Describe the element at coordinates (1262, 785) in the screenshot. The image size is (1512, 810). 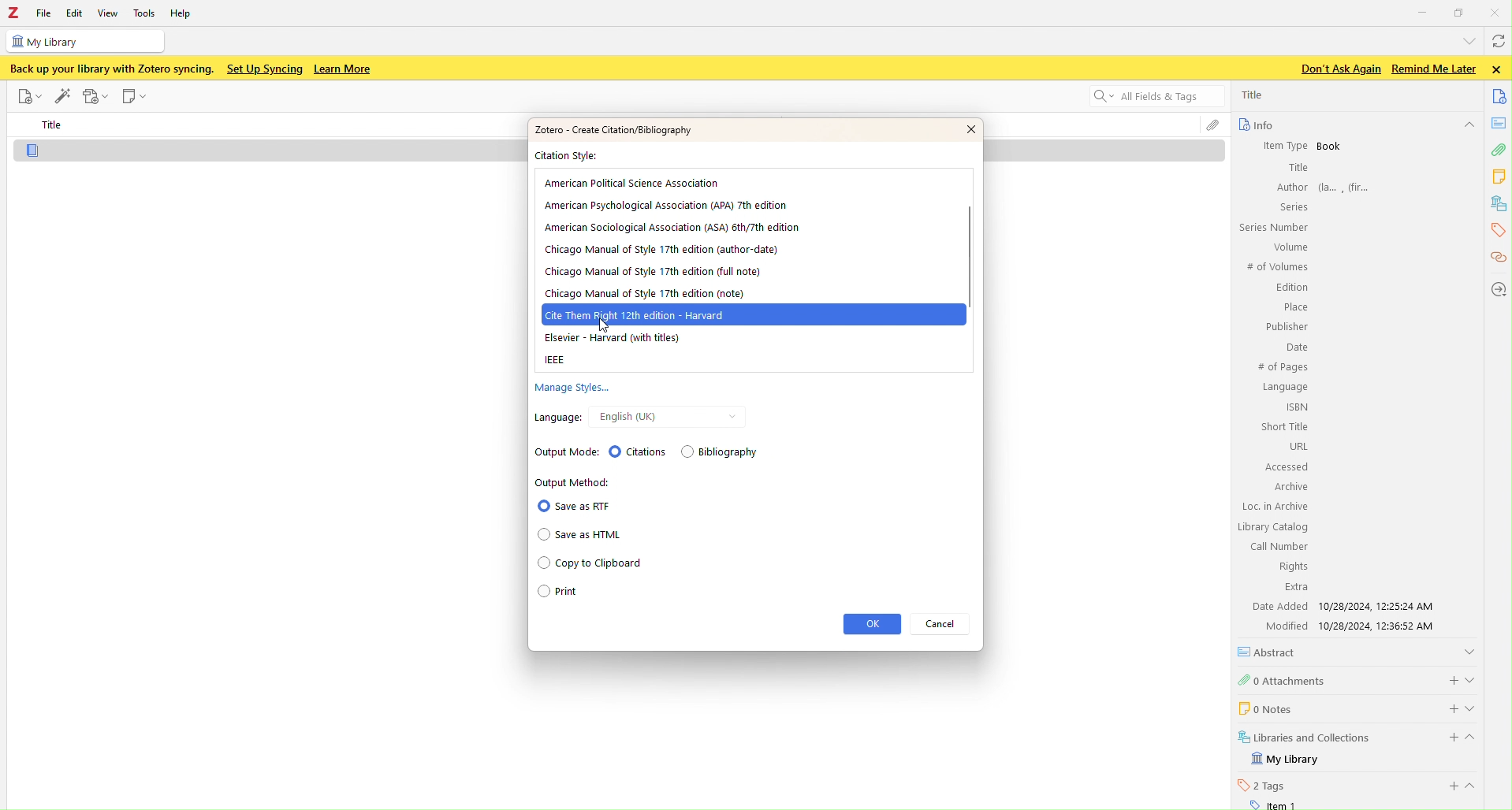
I see `2 Tags` at that location.